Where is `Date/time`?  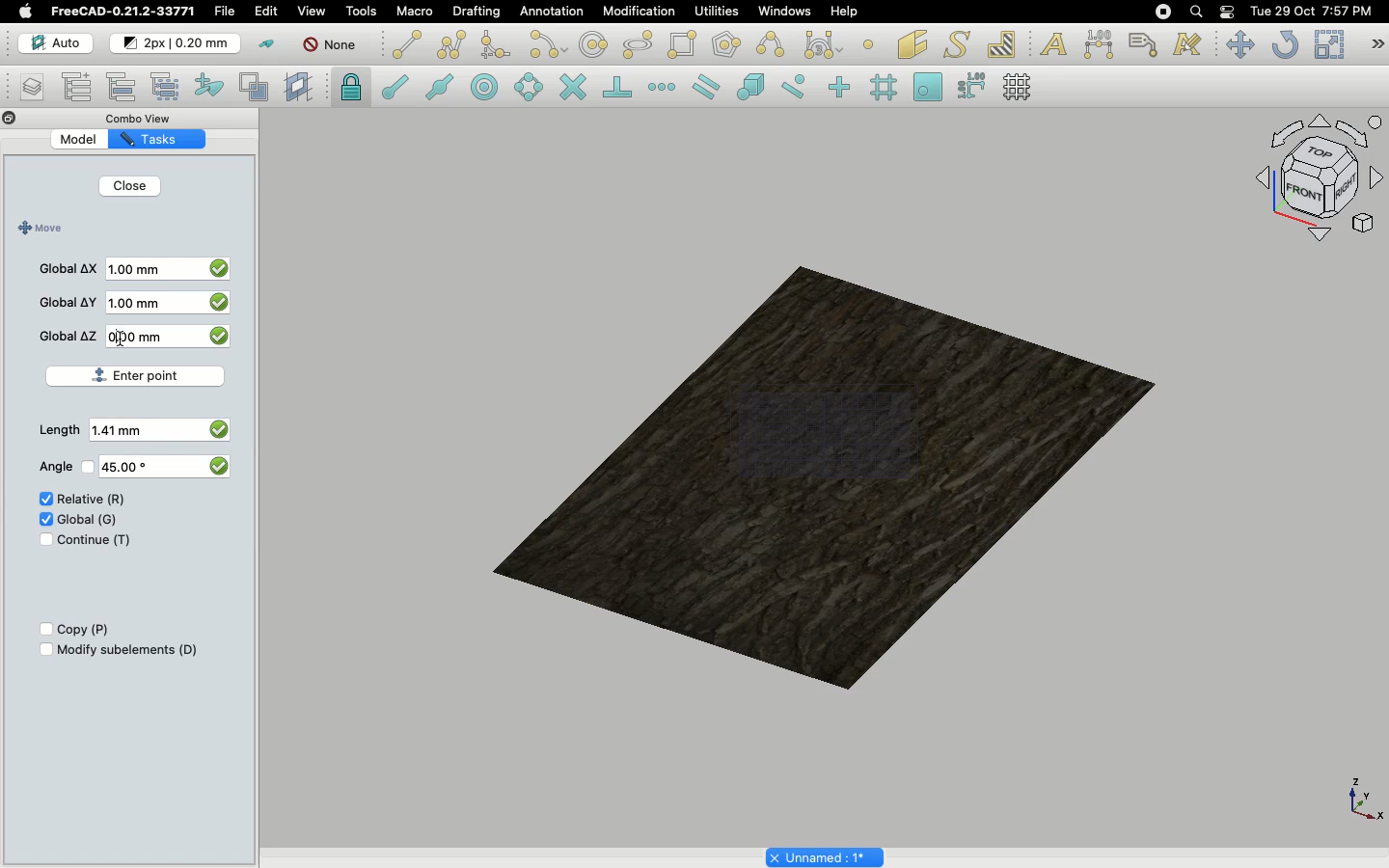
Date/time is located at coordinates (1311, 10).